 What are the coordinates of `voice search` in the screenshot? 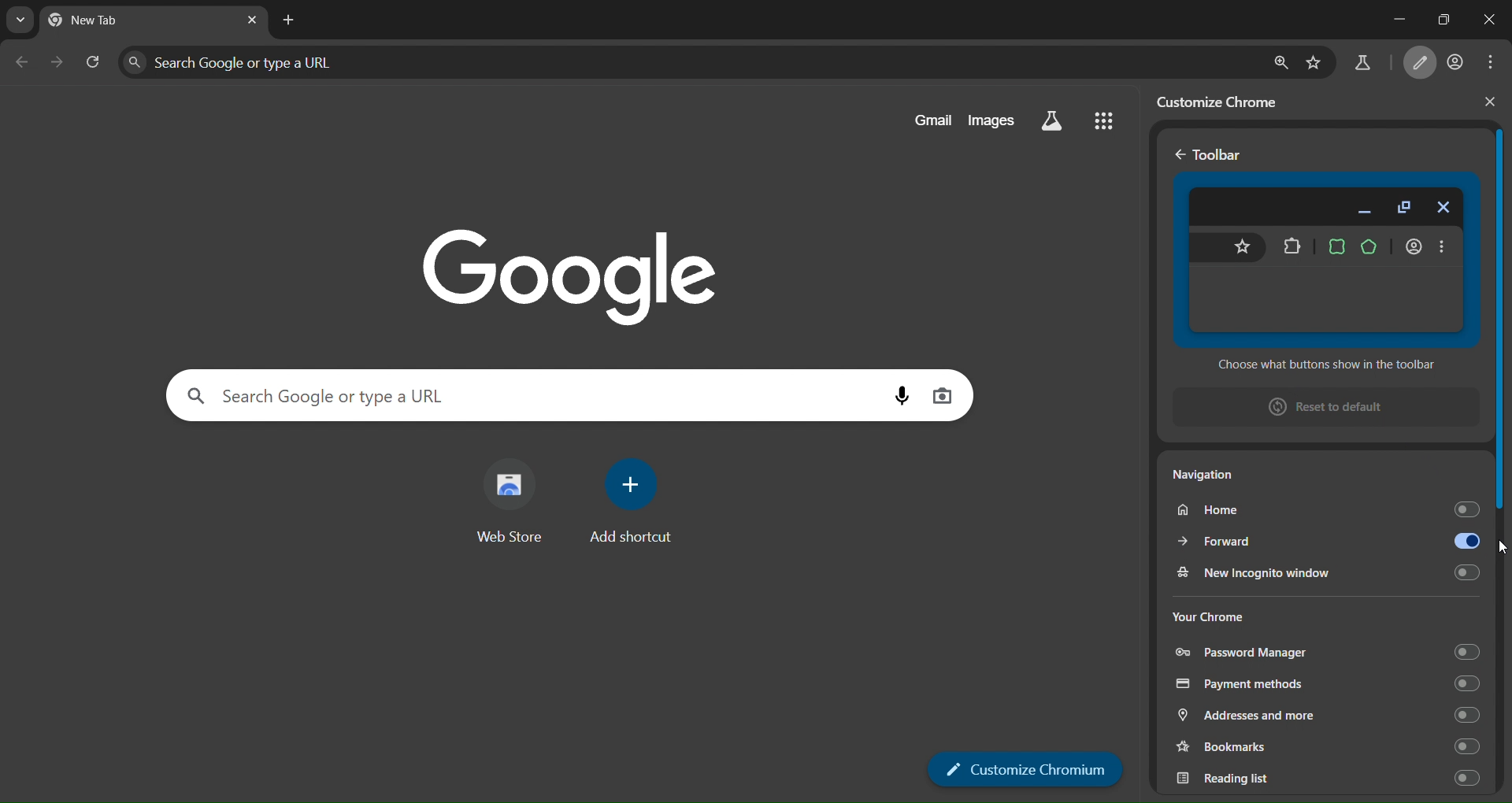 It's located at (902, 396).